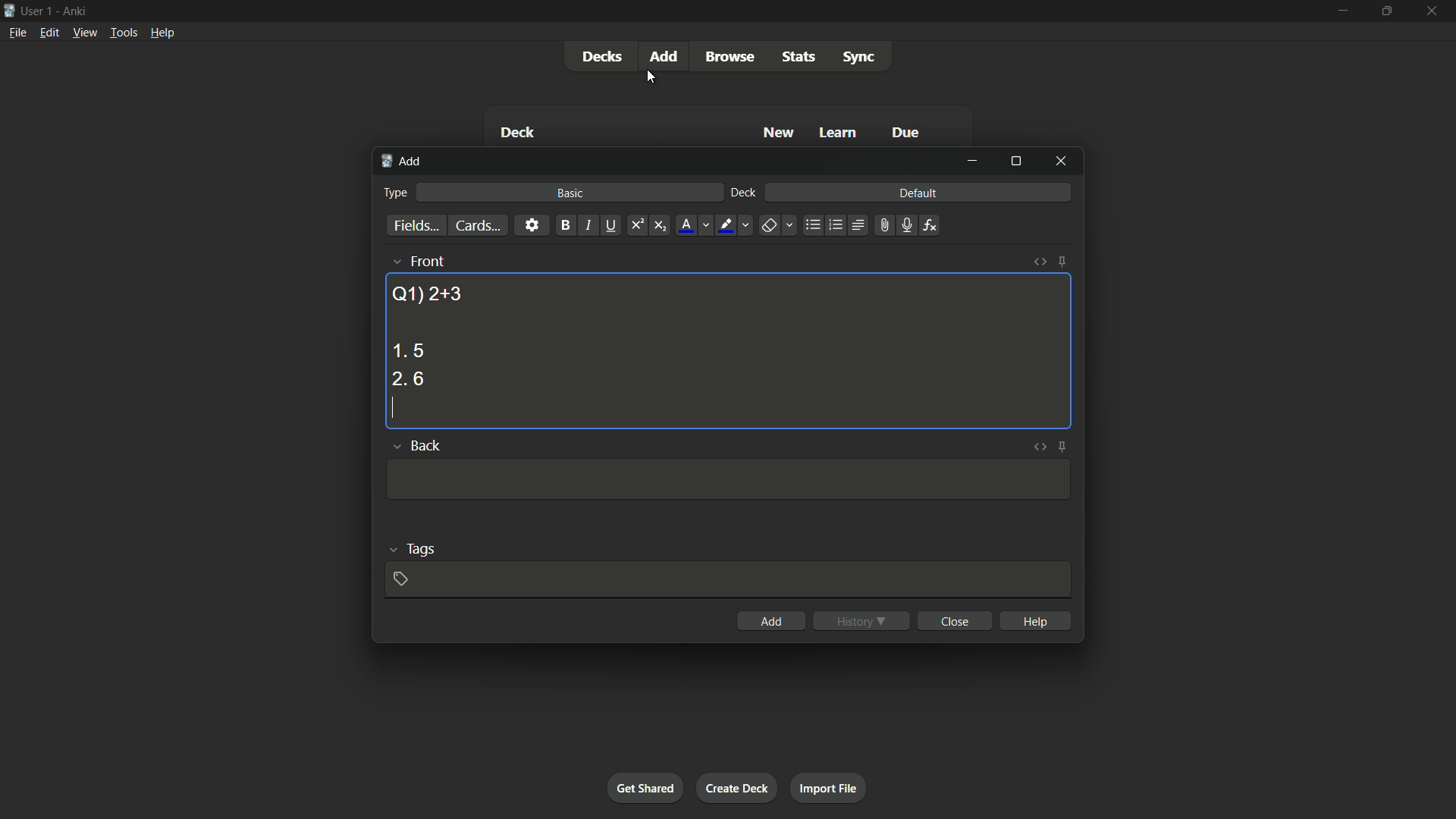 This screenshot has height=819, width=1456. What do you see at coordinates (772, 621) in the screenshot?
I see `add` at bounding box center [772, 621].